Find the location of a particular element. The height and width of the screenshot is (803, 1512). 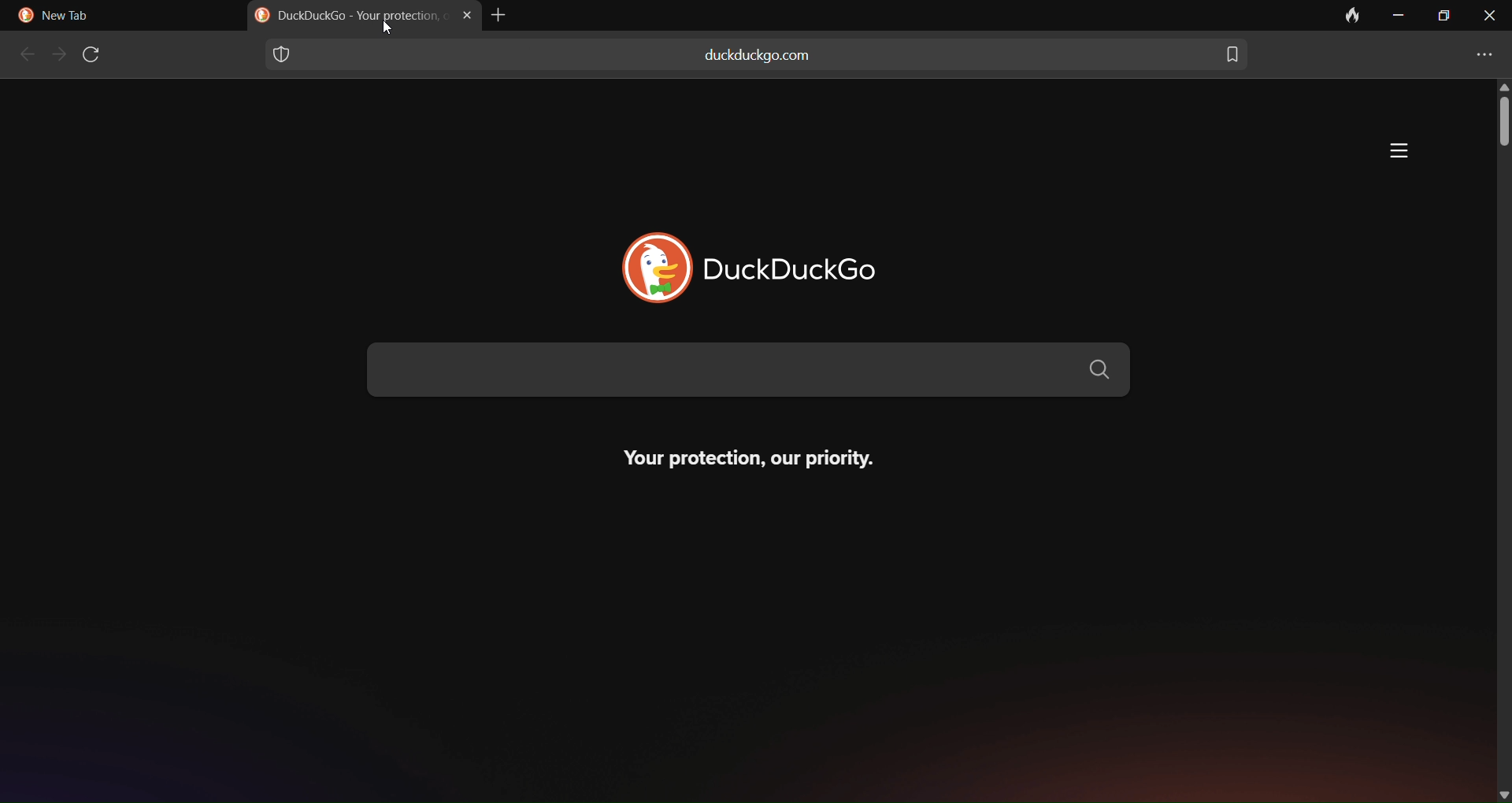

new tab is located at coordinates (502, 15).